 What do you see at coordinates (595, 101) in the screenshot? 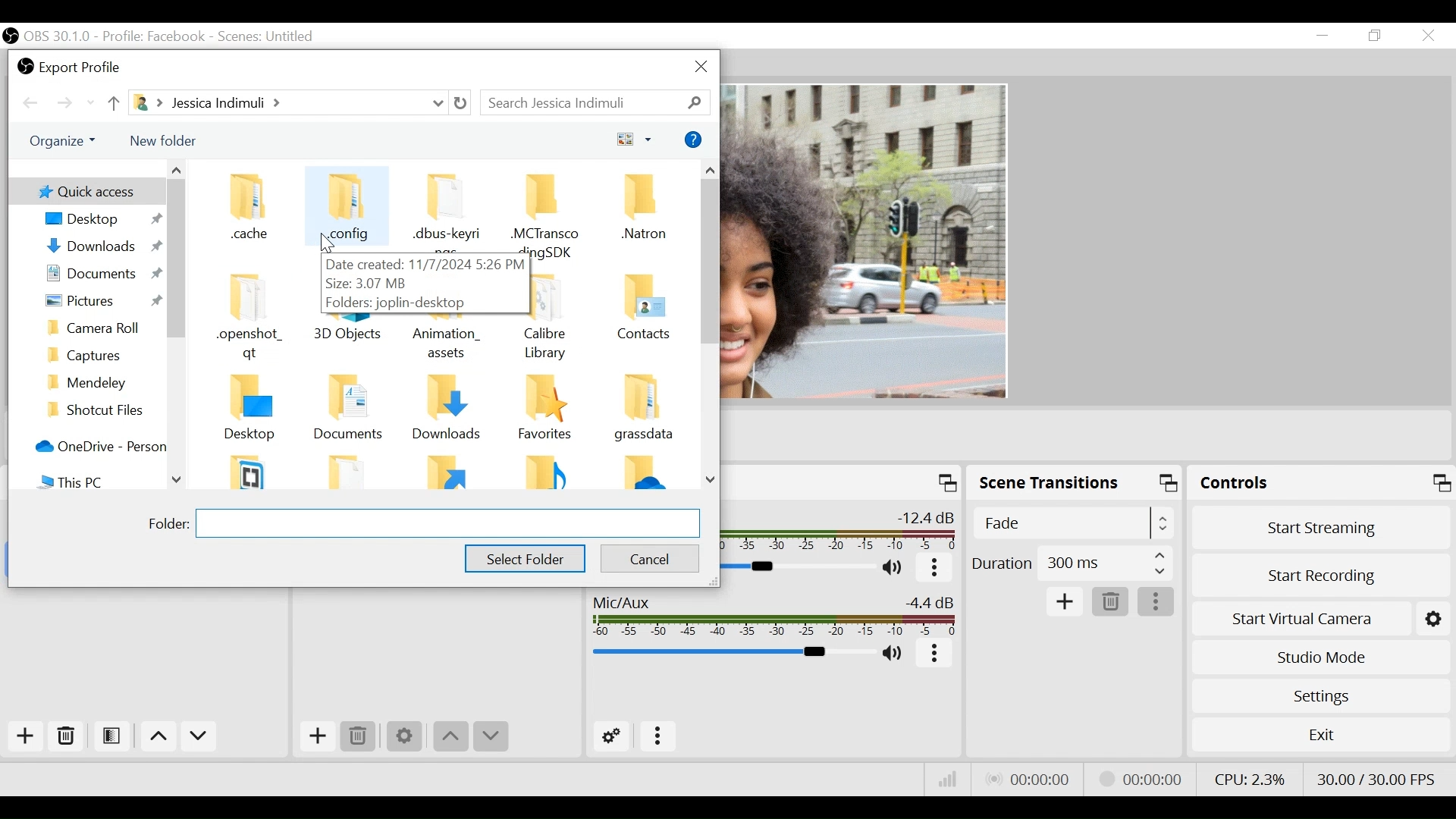
I see `Search` at bounding box center [595, 101].